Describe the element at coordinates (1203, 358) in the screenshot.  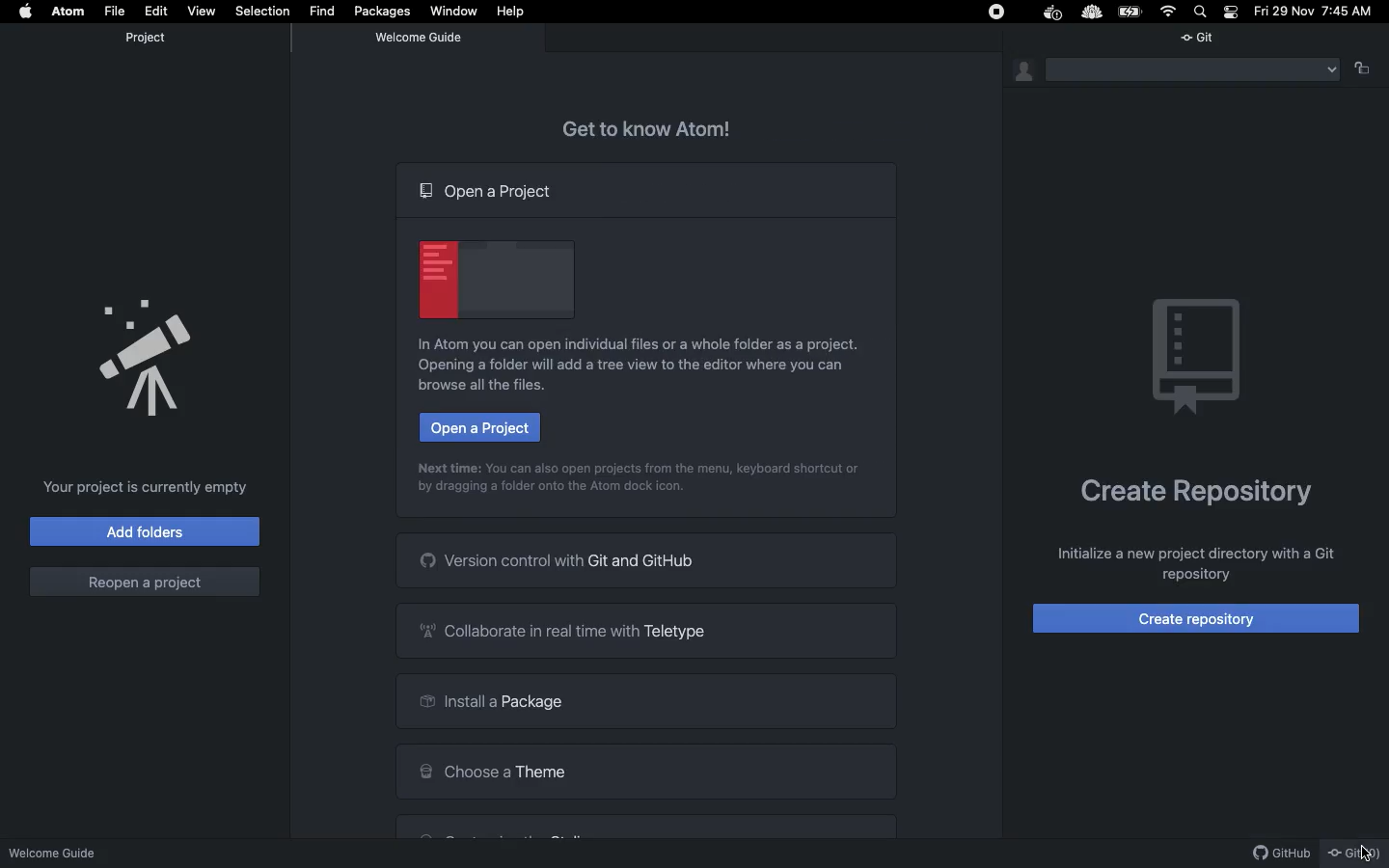
I see `Emblem` at that location.